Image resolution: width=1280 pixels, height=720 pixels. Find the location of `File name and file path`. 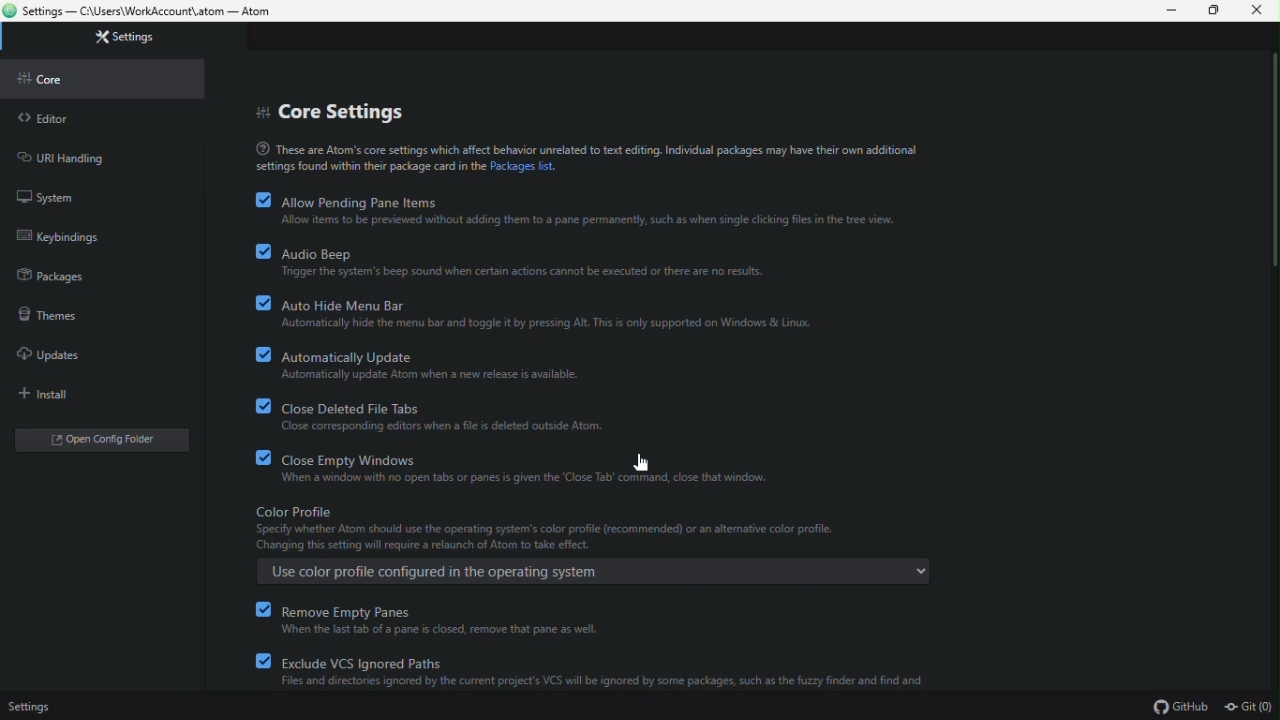

File name and file path is located at coordinates (142, 12).